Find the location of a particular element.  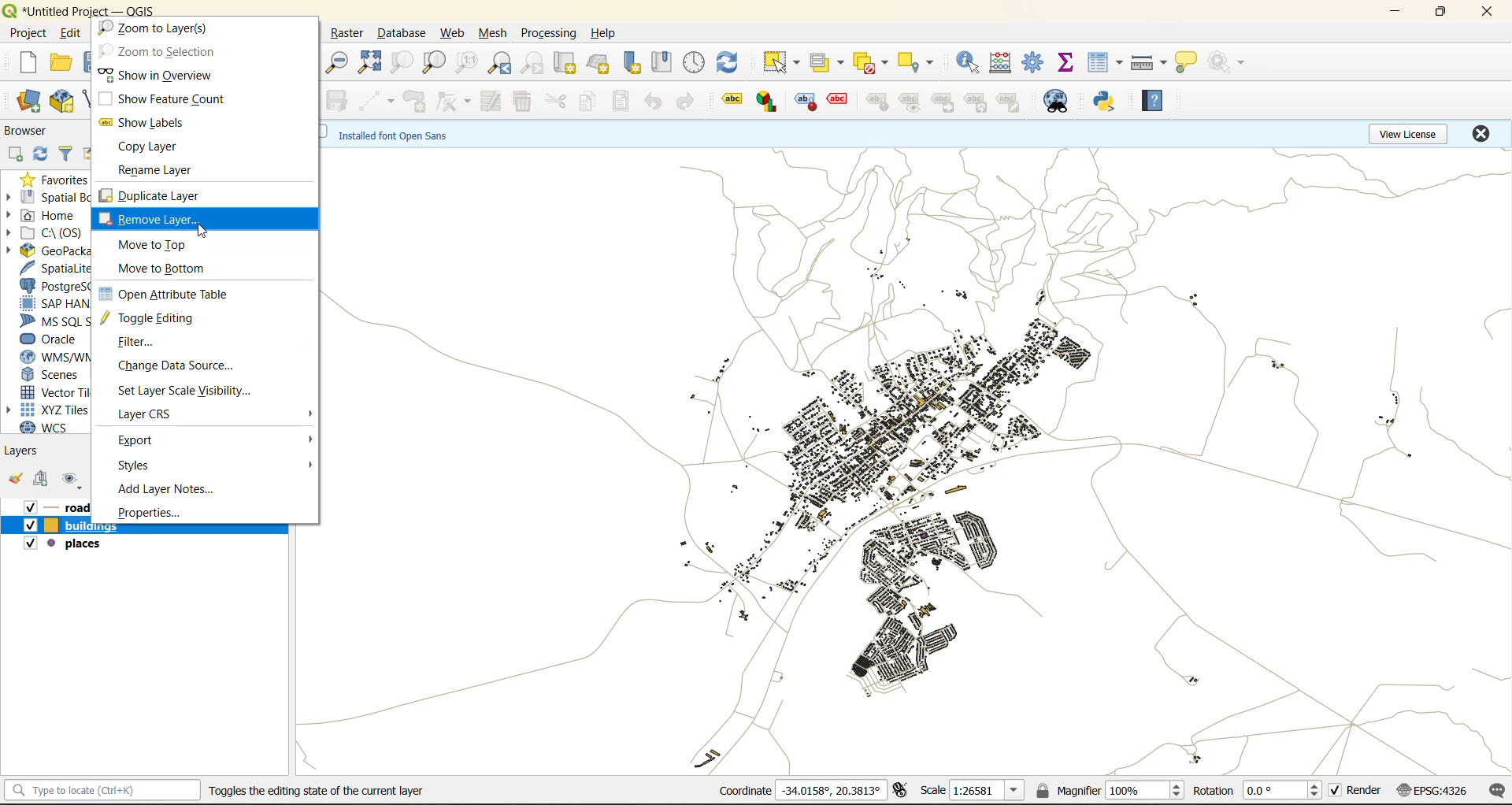

processing is located at coordinates (548, 32).